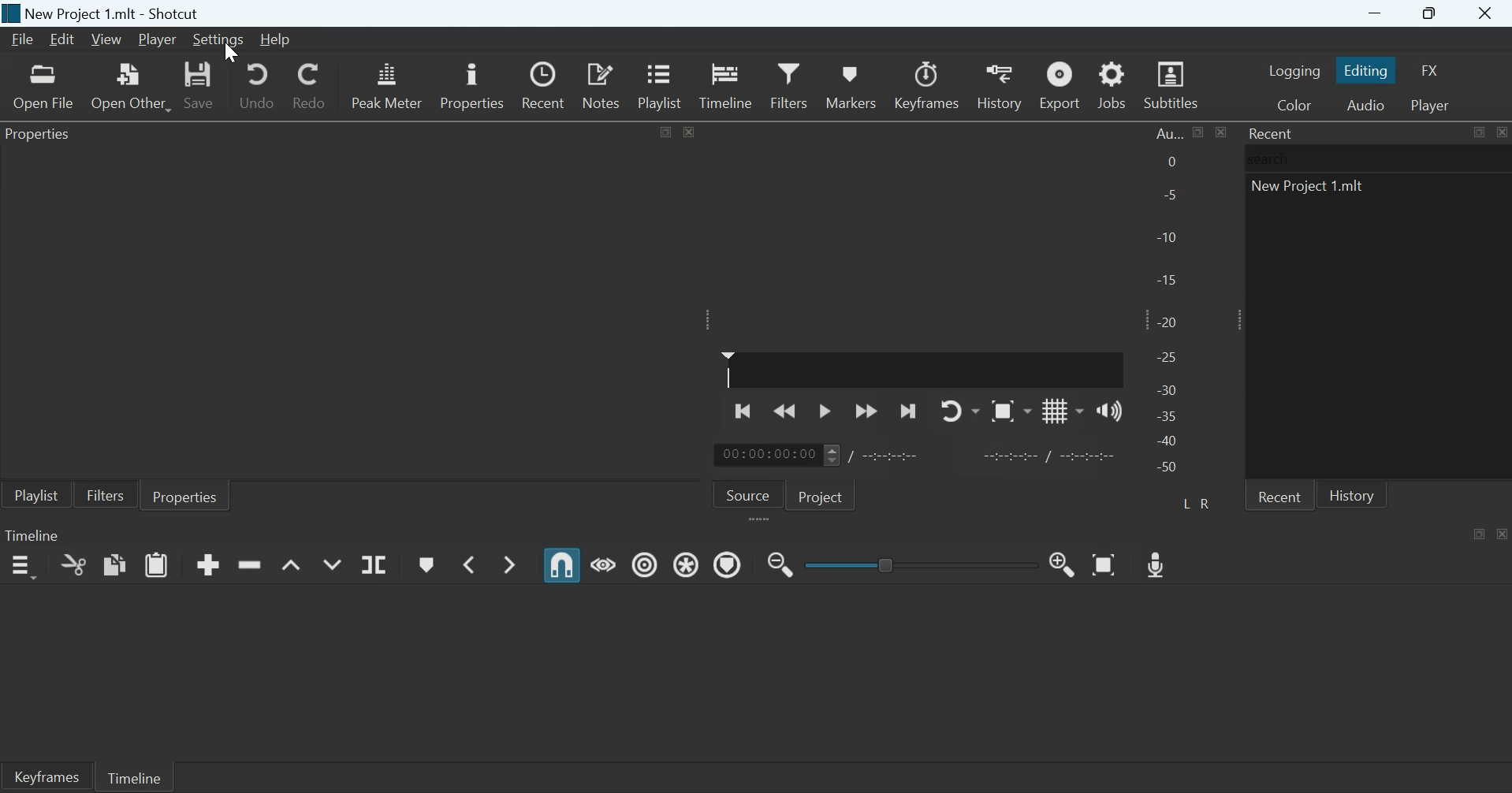 This screenshot has width=1512, height=793. I want to click on Export, so click(1058, 84).